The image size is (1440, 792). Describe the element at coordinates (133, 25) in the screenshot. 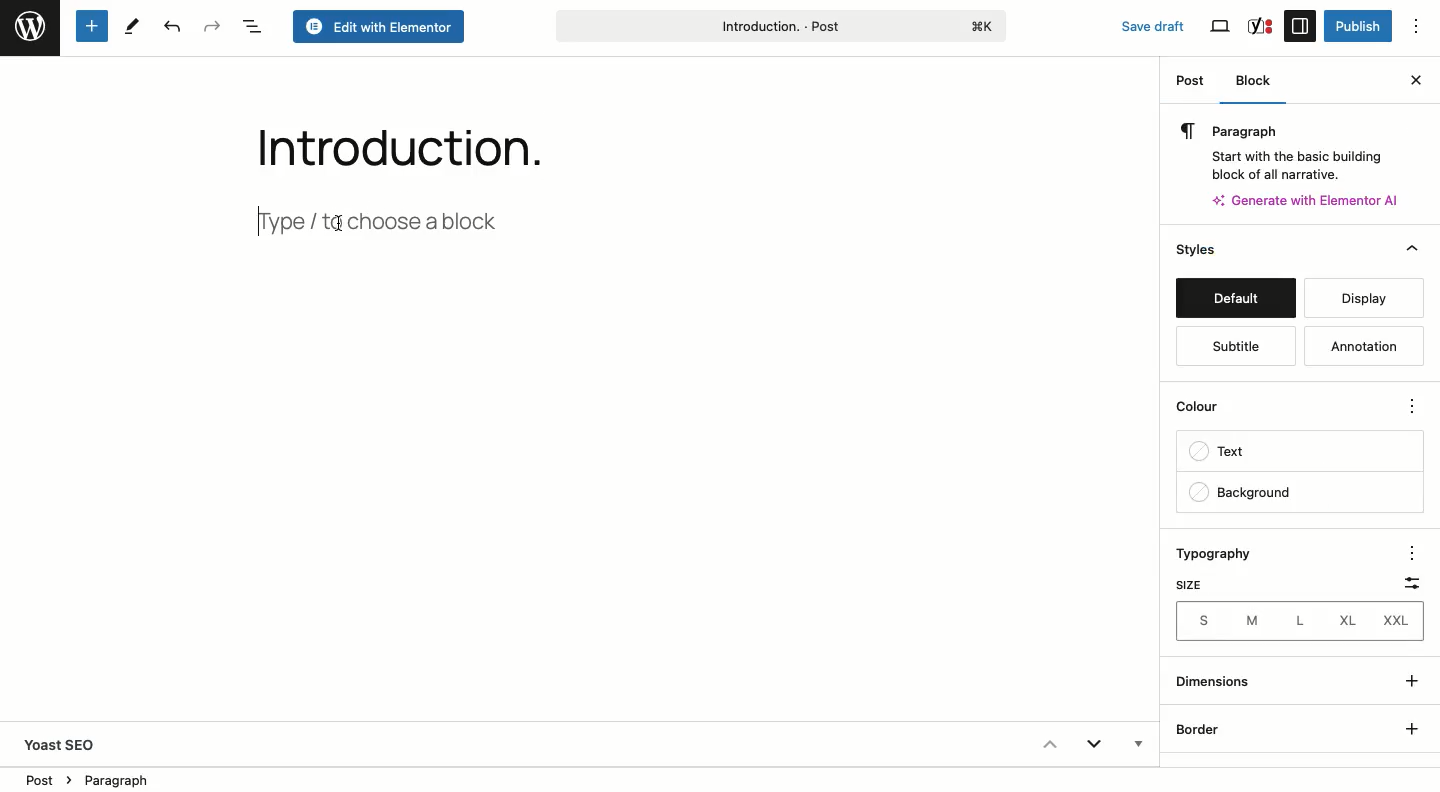

I see `Tools` at that location.